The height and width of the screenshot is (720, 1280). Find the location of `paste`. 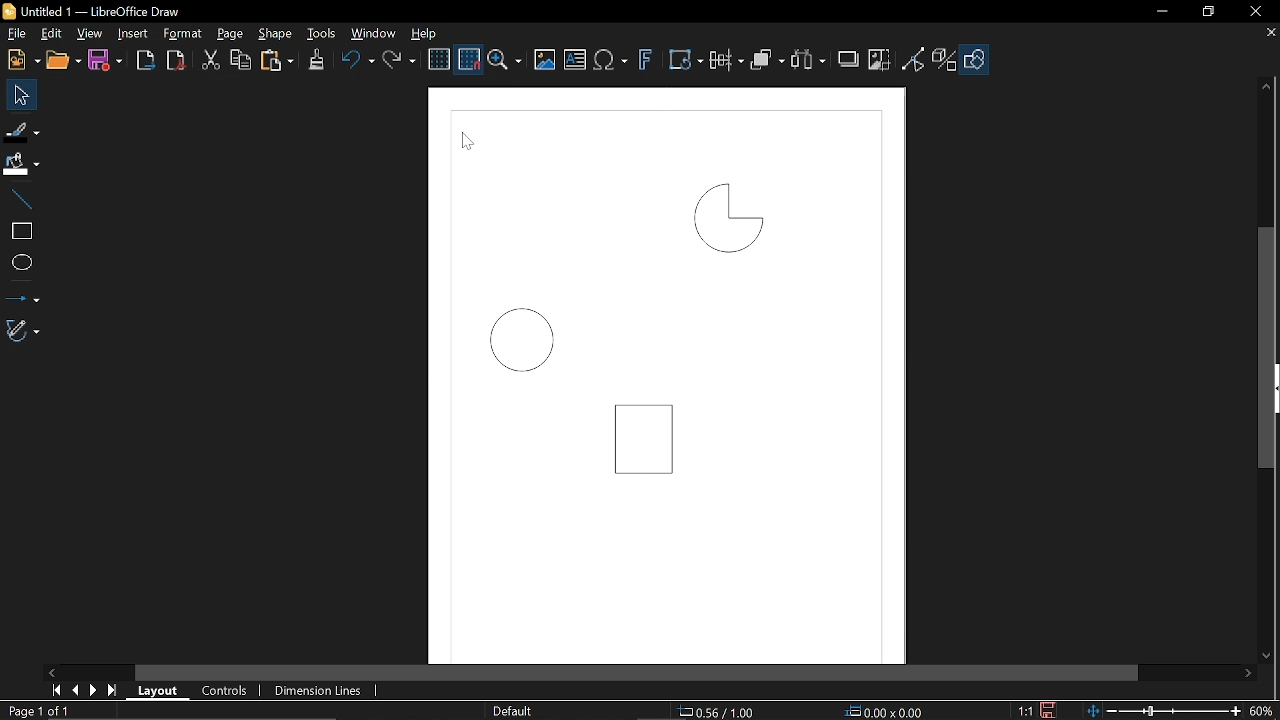

paste is located at coordinates (279, 60).